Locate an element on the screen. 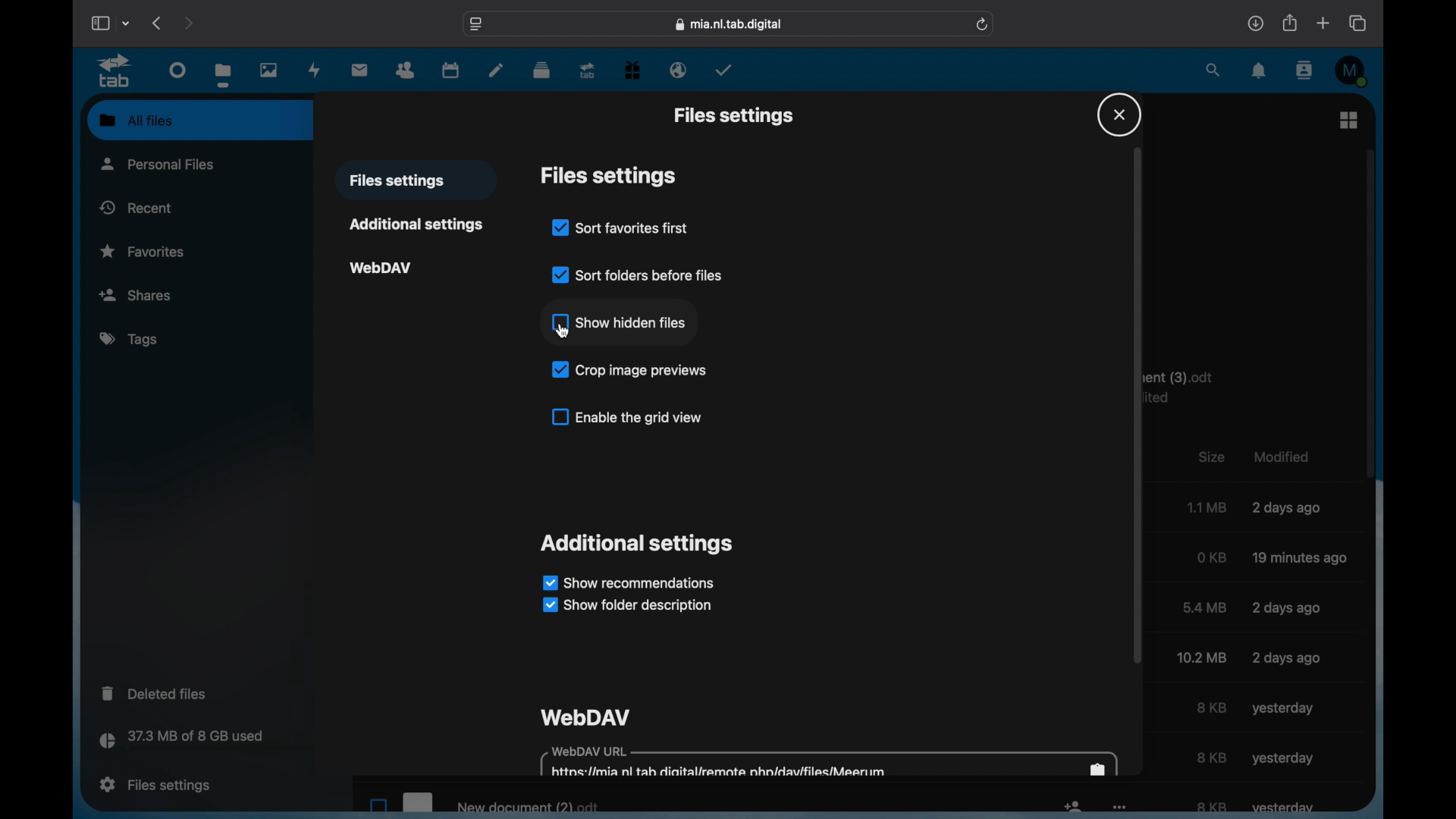  deck is located at coordinates (541, 71).